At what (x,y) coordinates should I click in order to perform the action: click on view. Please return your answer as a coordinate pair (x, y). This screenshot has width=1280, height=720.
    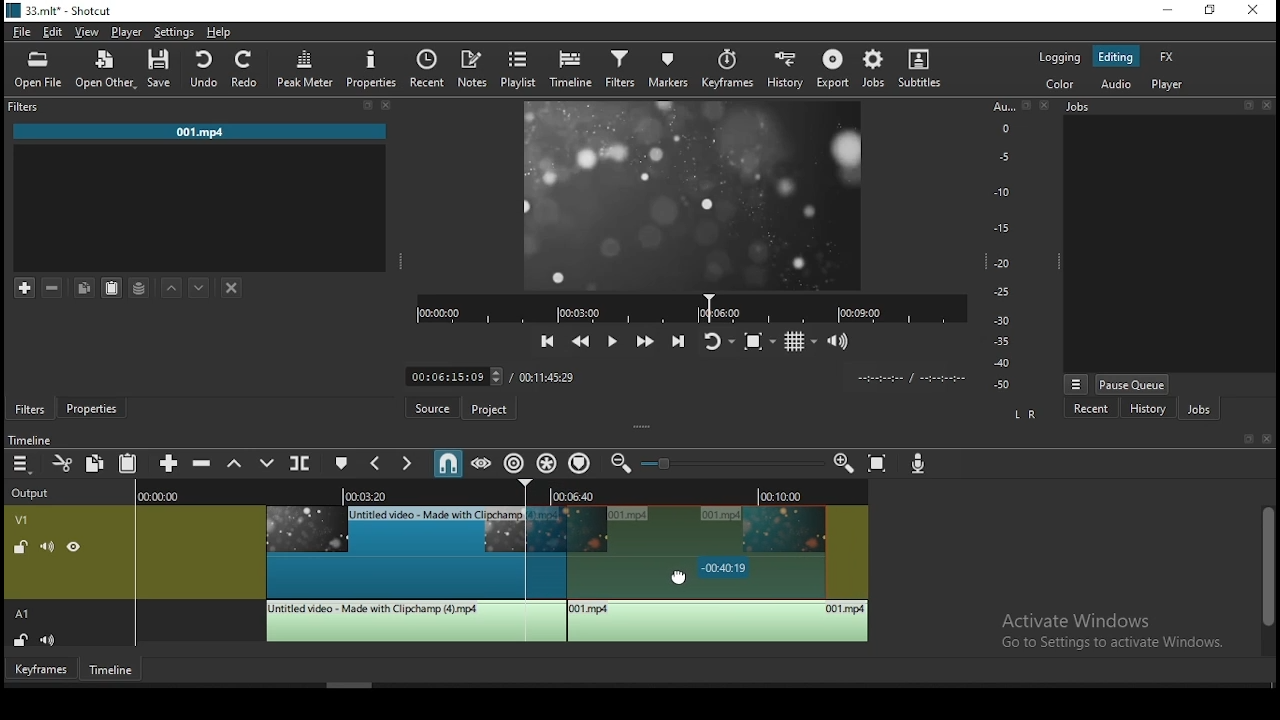
    Looking at the image, I should click on (91, 31).